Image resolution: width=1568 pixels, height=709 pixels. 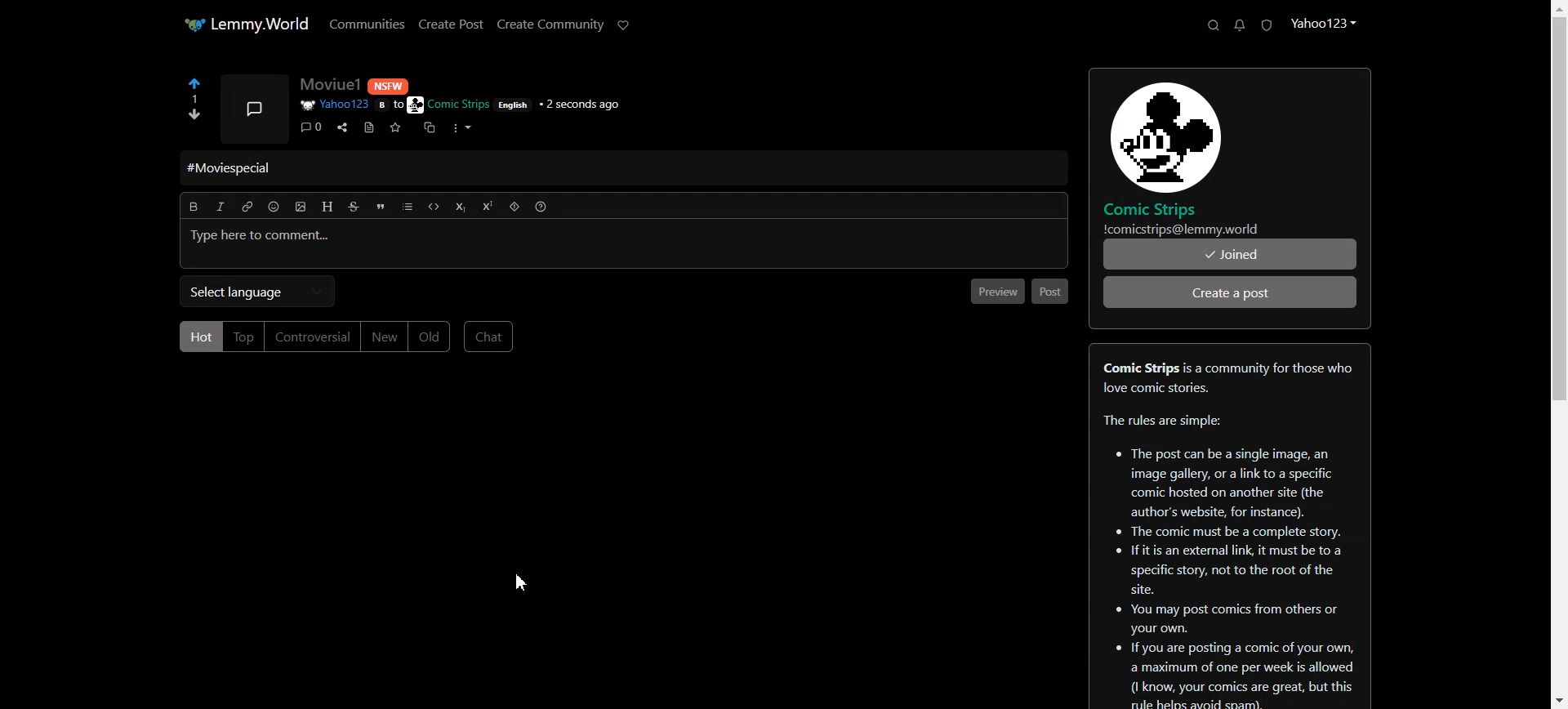 I want to click on Profile, so click(x=1325, y=23).